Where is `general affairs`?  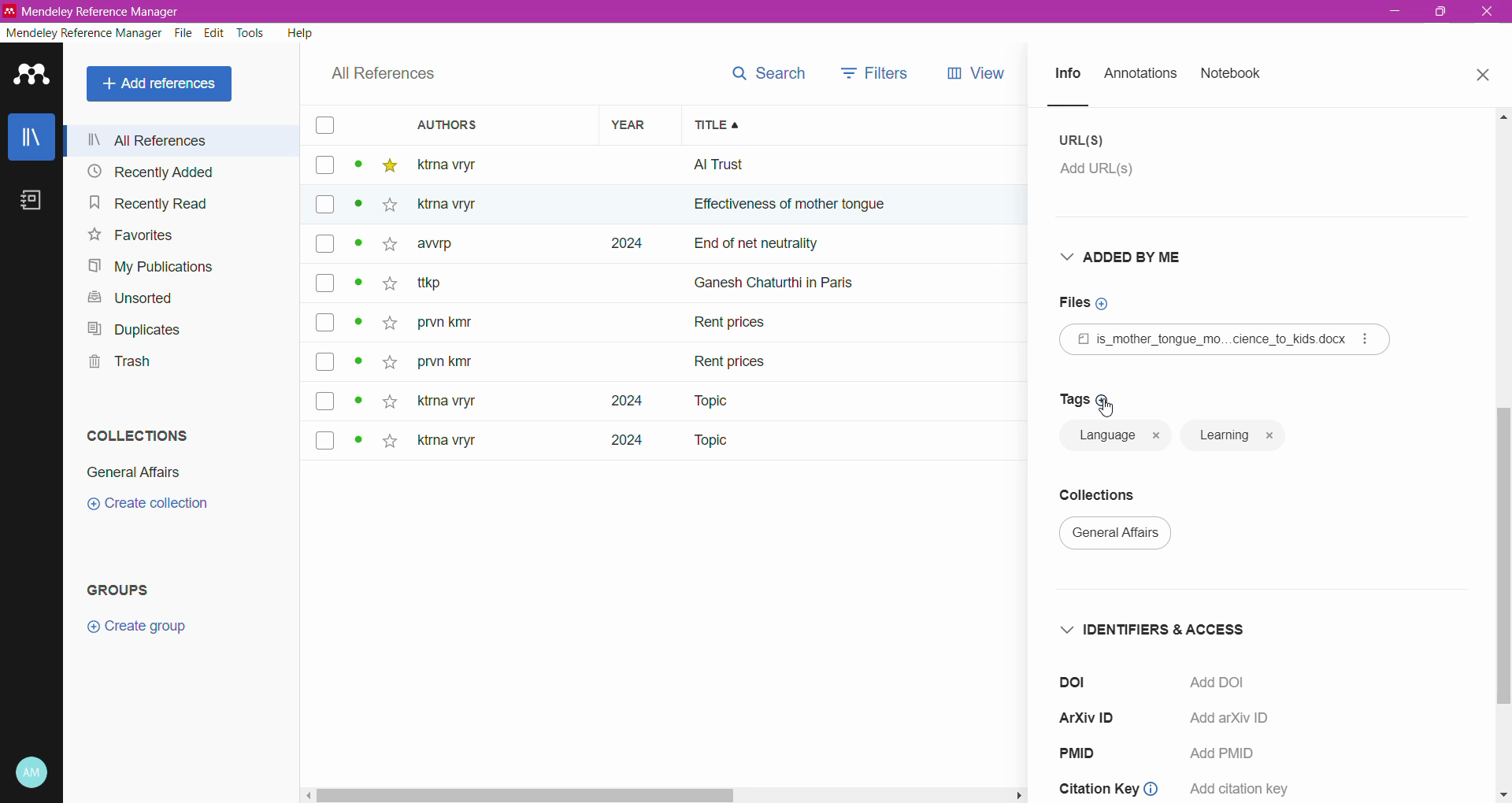
general affairs is located at coordinates (1122, 538).